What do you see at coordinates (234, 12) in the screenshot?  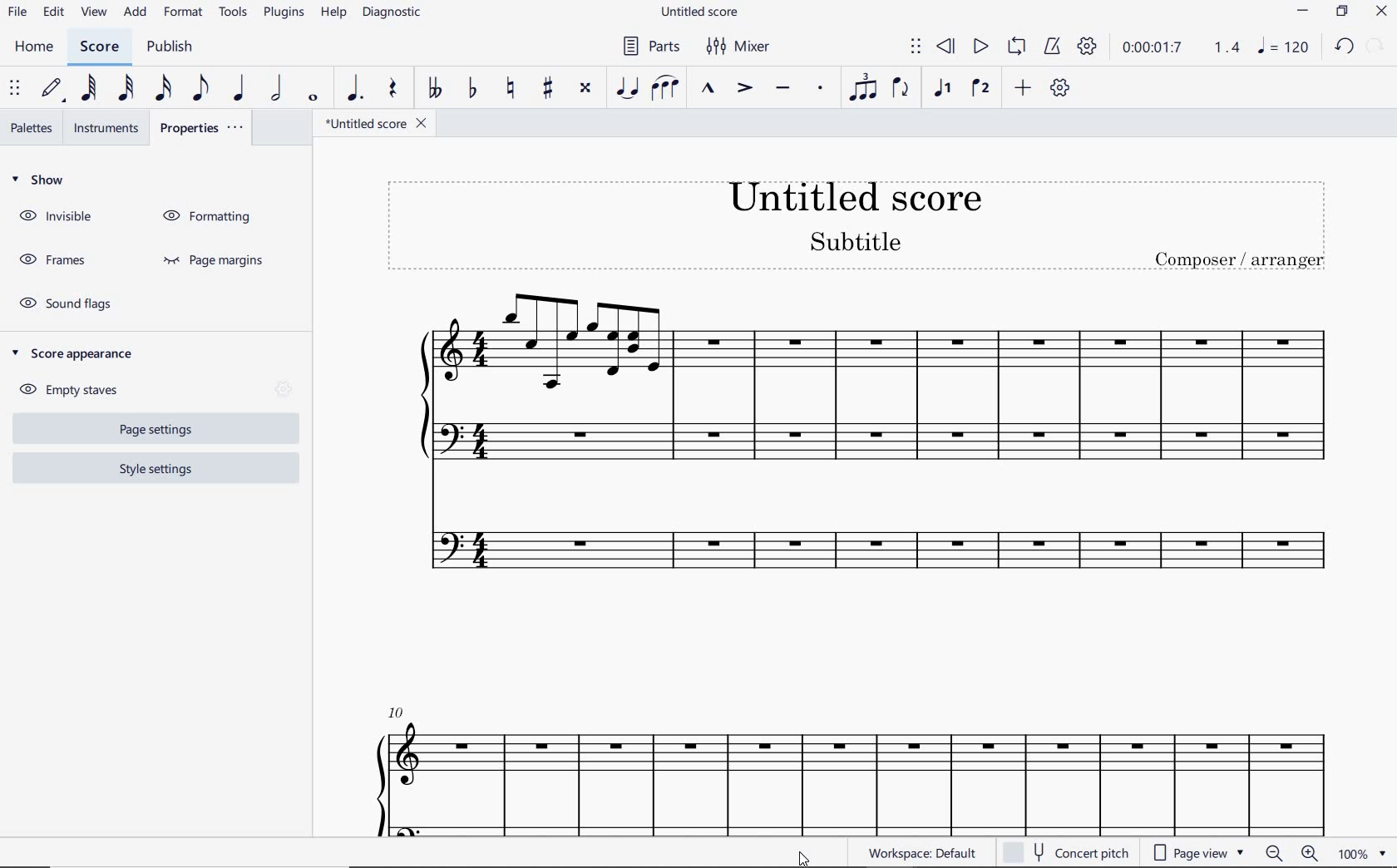 I see `TOOLS` at bounding box center [234, 12].